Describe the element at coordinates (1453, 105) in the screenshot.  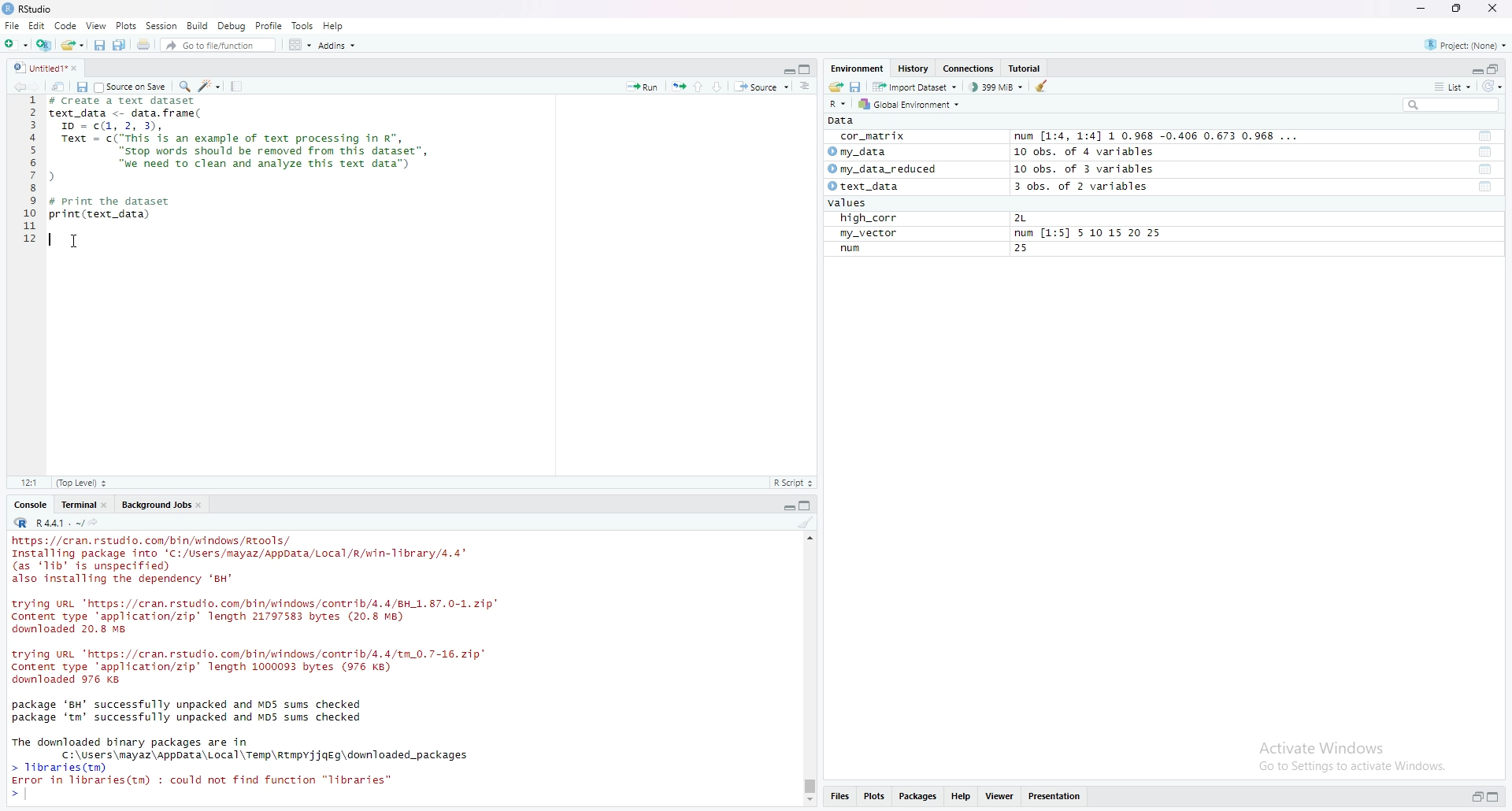
I see `search` at that location.